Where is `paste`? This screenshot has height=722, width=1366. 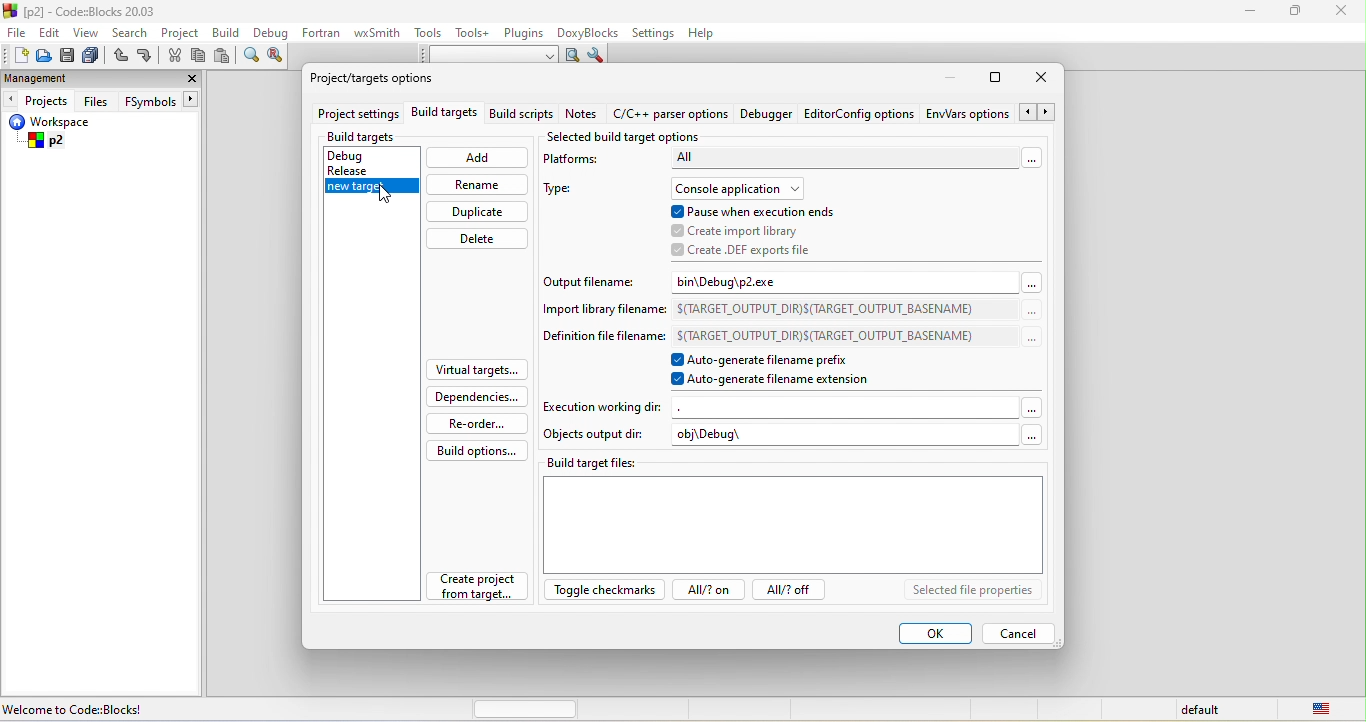 paste is located at coordinates (223, 58).